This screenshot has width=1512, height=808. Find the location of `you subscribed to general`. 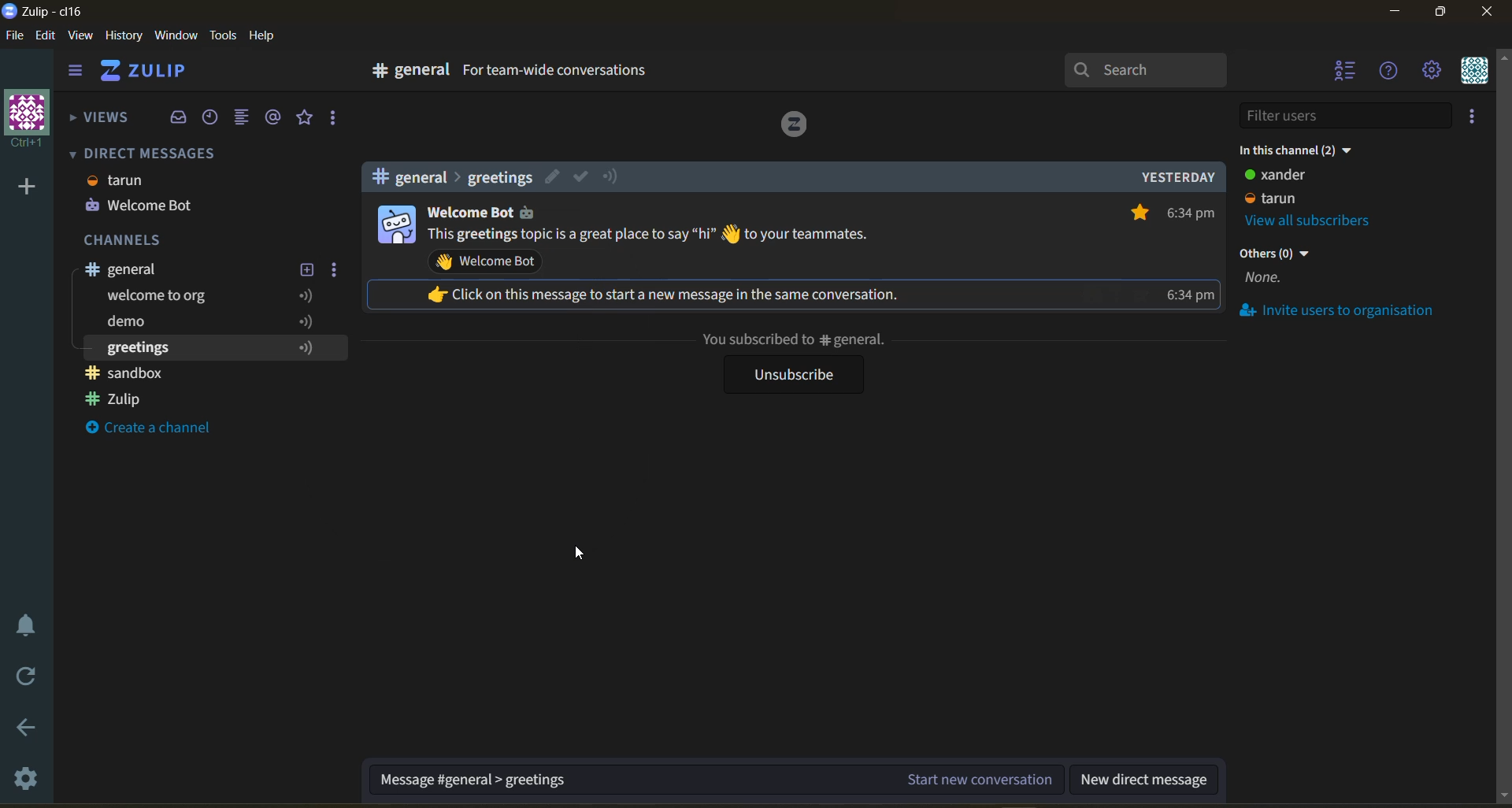

you subscribed to general is located at coordinates (792, 340).